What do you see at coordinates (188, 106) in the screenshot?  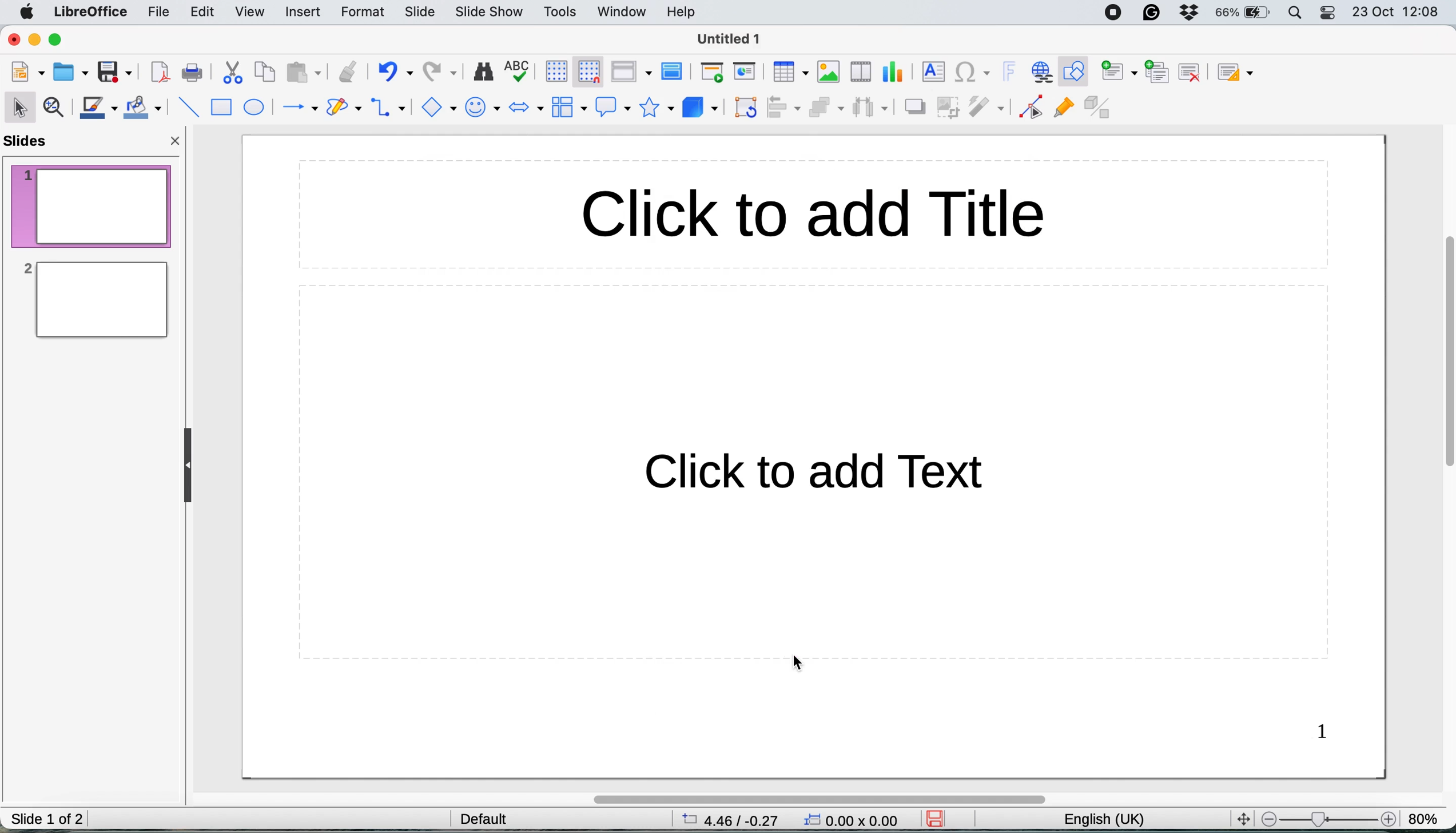 I see `insert line` at bounding box center [188, 106].